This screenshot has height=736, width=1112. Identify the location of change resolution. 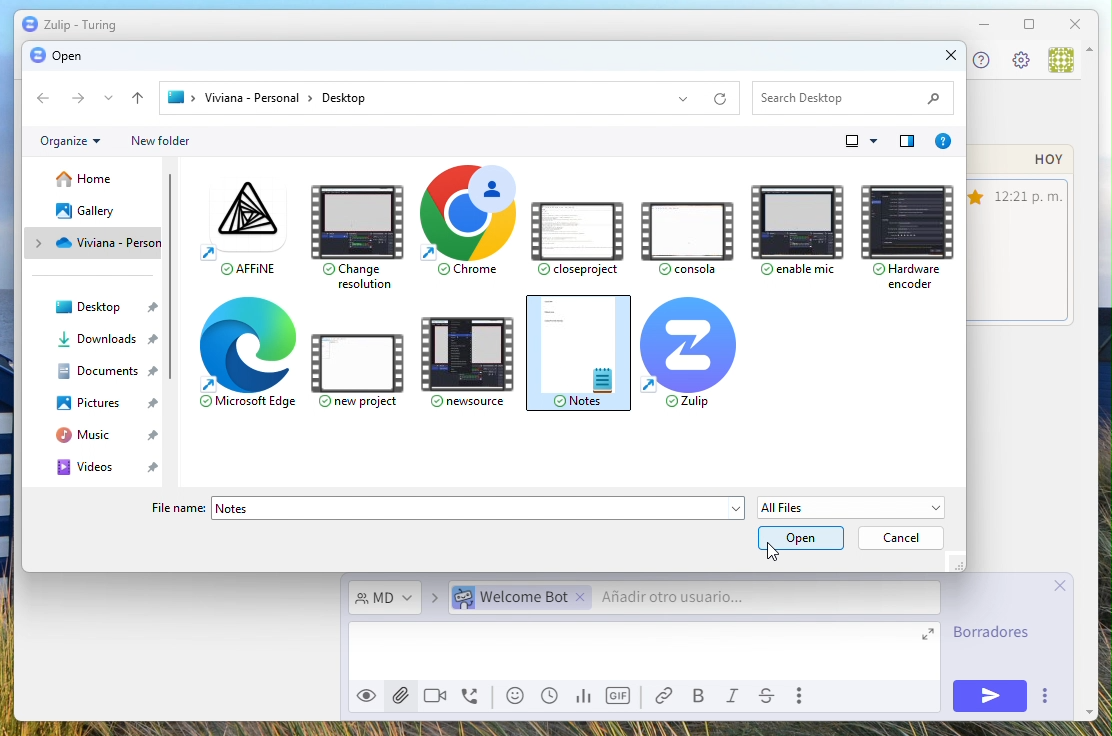
(356, 233).